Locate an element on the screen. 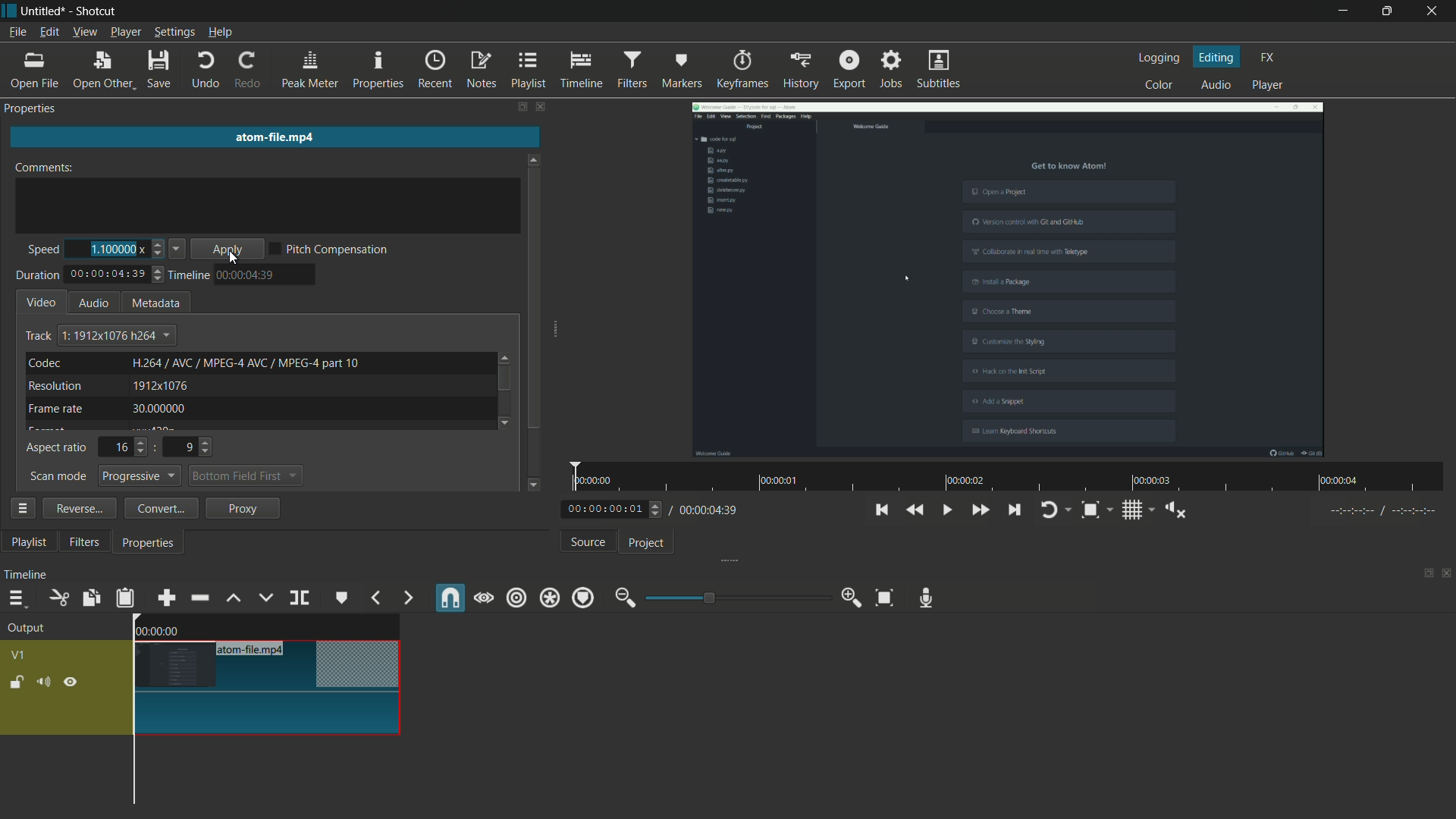 This screenshot has width=1456, height=819. convert is located at coordinates (157, 508).